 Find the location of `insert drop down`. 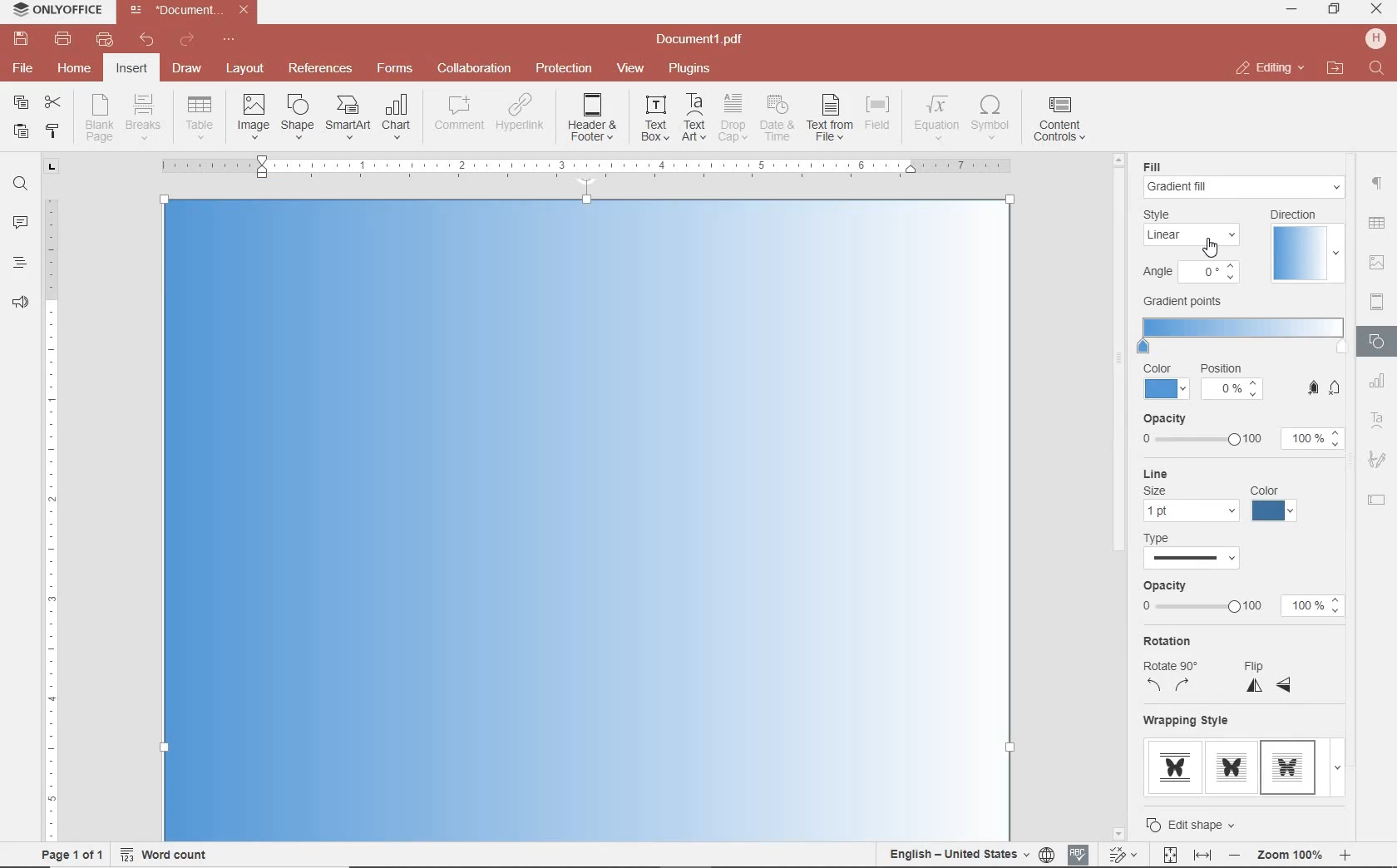

insert drop down is located at coordinates (205, 116).